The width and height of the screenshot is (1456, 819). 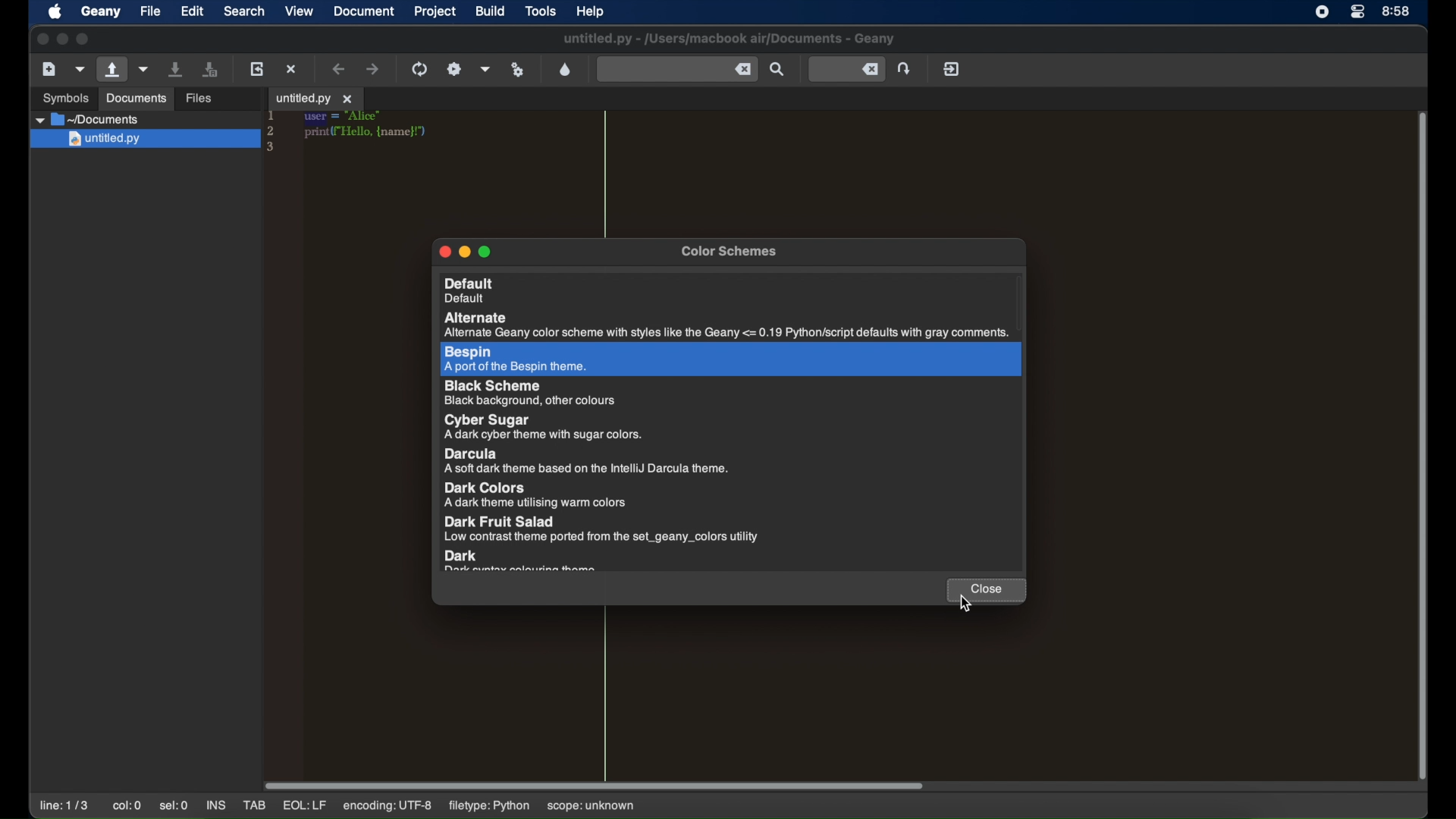 What do you see at coordinates (541, 11) in the screenshot?
I see `tools` at bounding box center [541, 11].